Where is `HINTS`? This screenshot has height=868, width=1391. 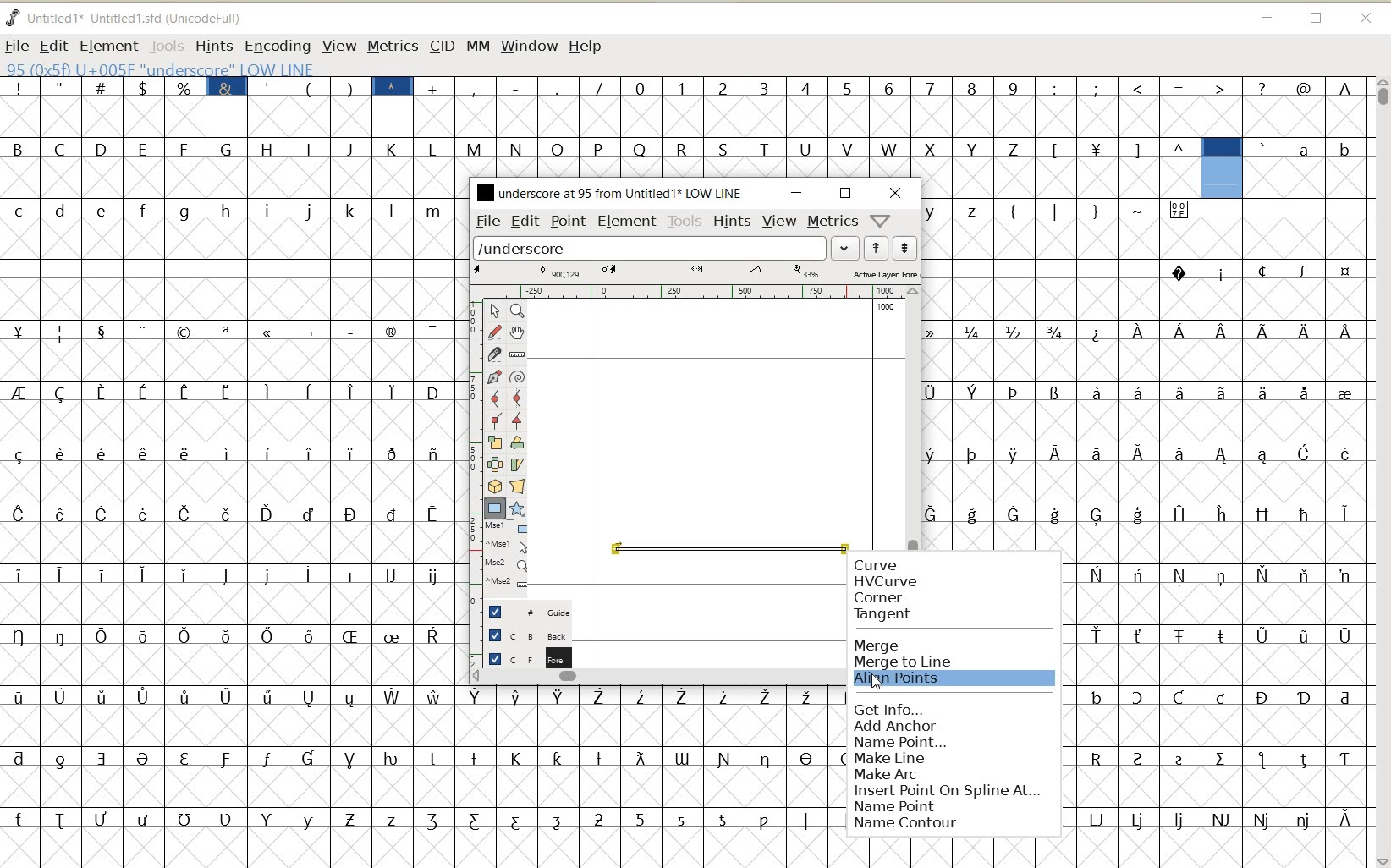
HINTS is located at coordinates (732, 221).